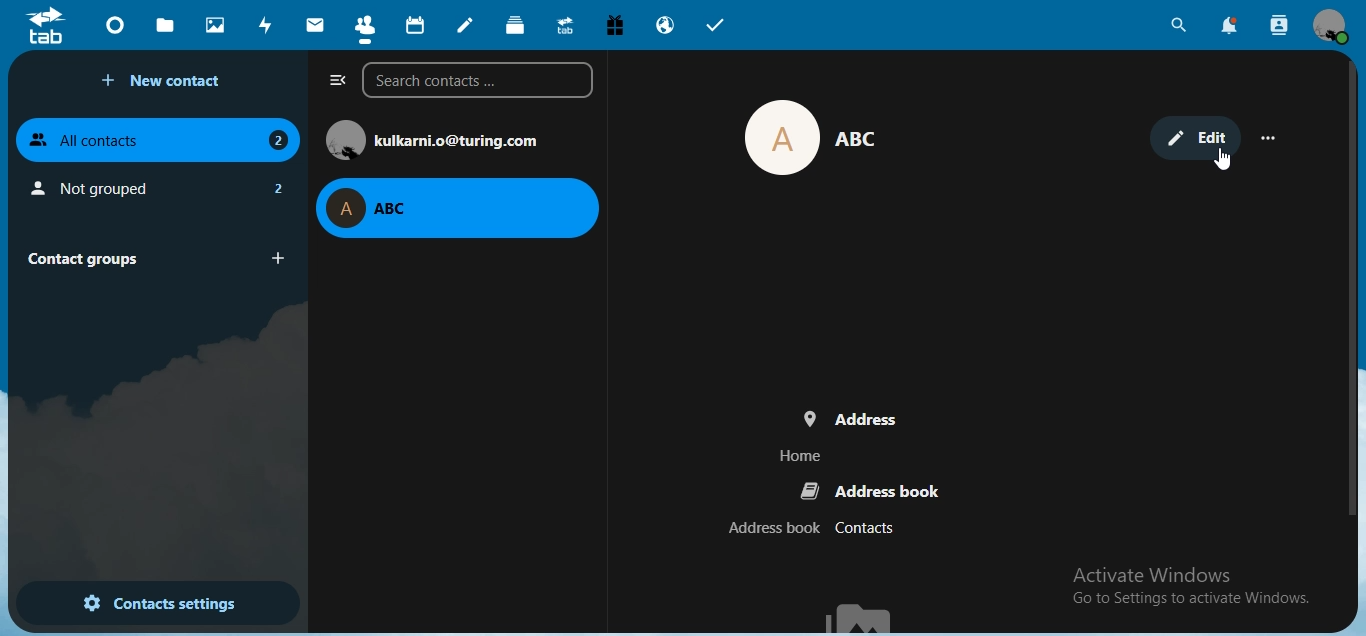 The width and height of the screenshot is (1366, 636). What do you see at coordinates (1180, 25) in the screenshot?
I see `search` at bounding box center [1180, 25].